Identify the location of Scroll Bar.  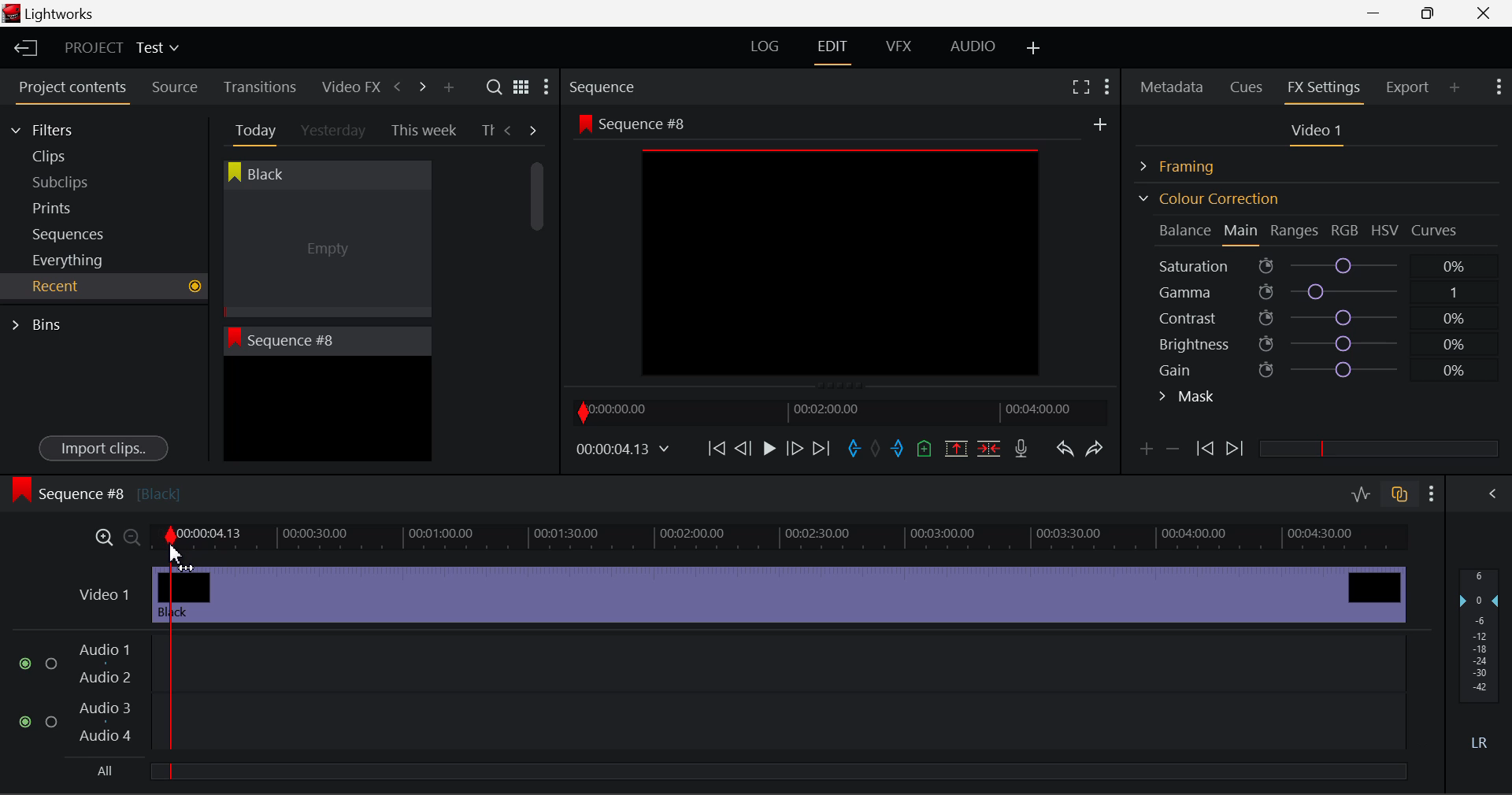
(538, 299).